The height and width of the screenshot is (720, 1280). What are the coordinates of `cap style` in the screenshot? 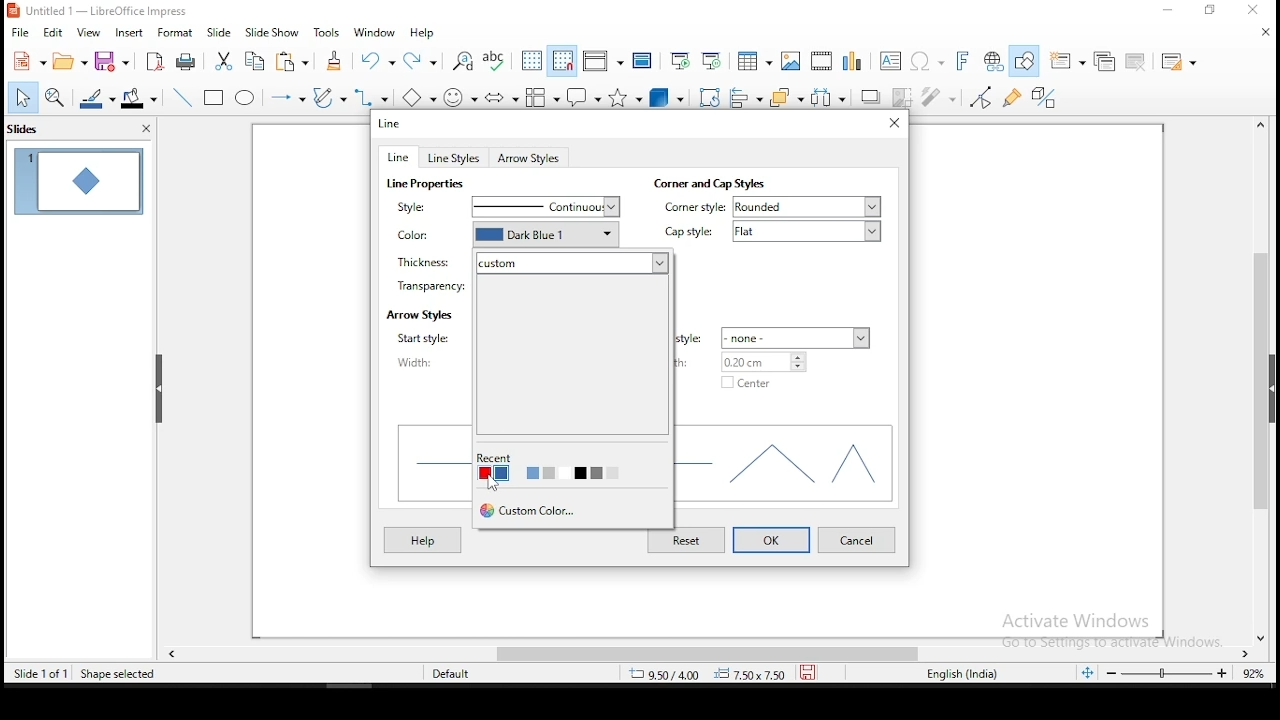 It's located at (693, 233).